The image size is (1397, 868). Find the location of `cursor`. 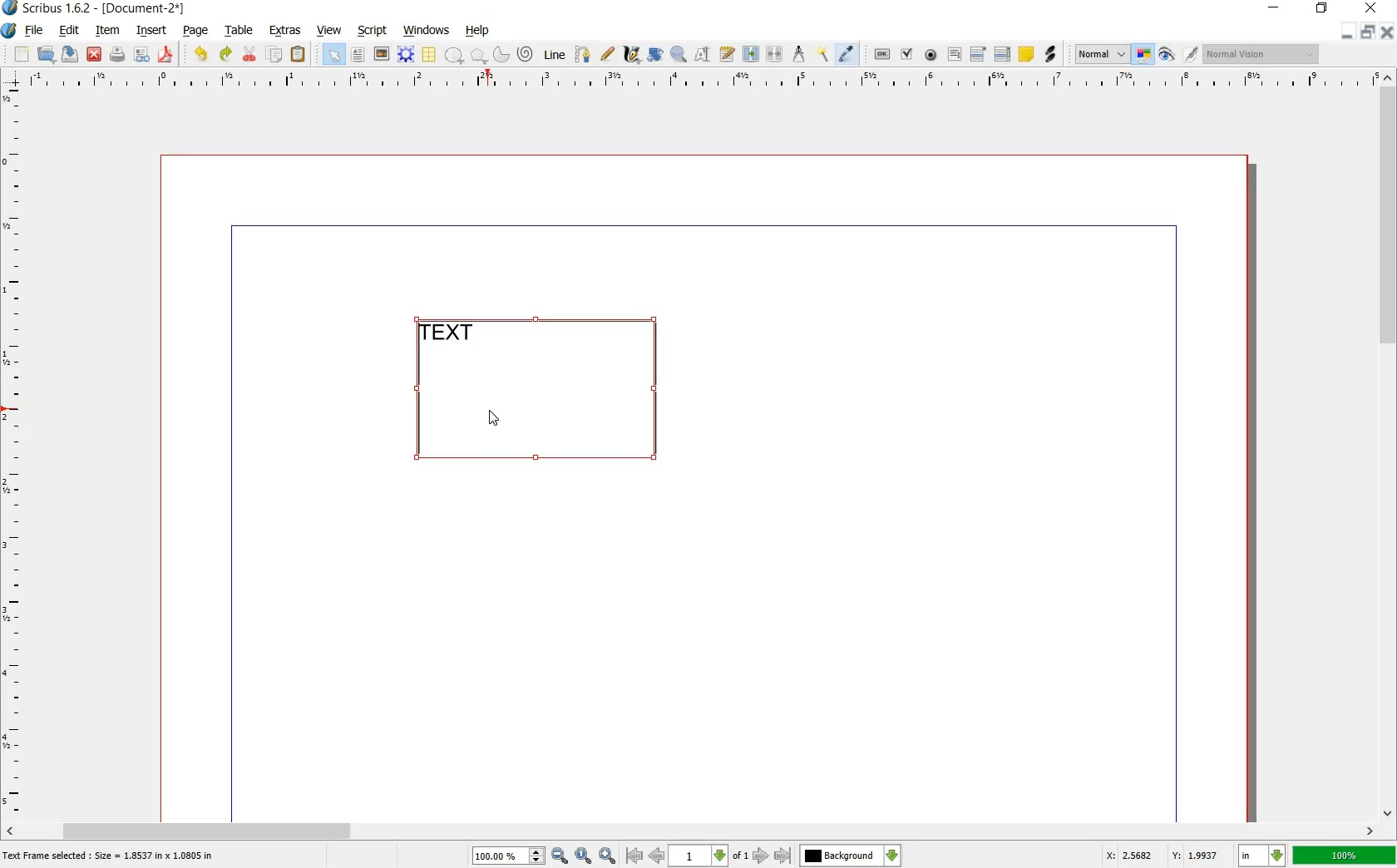

cursor is located at coordinates (499, 420).